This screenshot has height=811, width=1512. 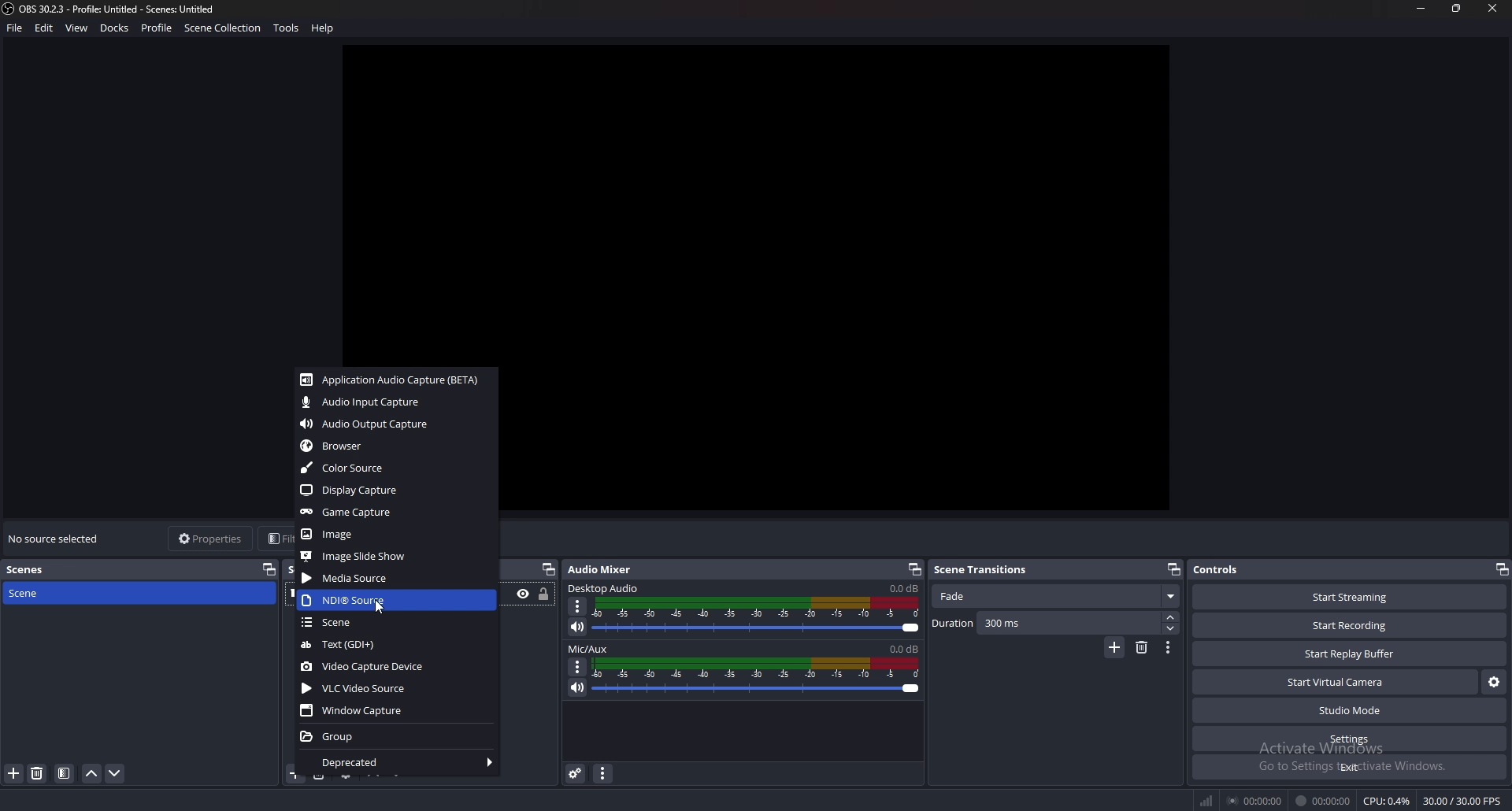 I want to click on media source, so click(x=396, y=577).